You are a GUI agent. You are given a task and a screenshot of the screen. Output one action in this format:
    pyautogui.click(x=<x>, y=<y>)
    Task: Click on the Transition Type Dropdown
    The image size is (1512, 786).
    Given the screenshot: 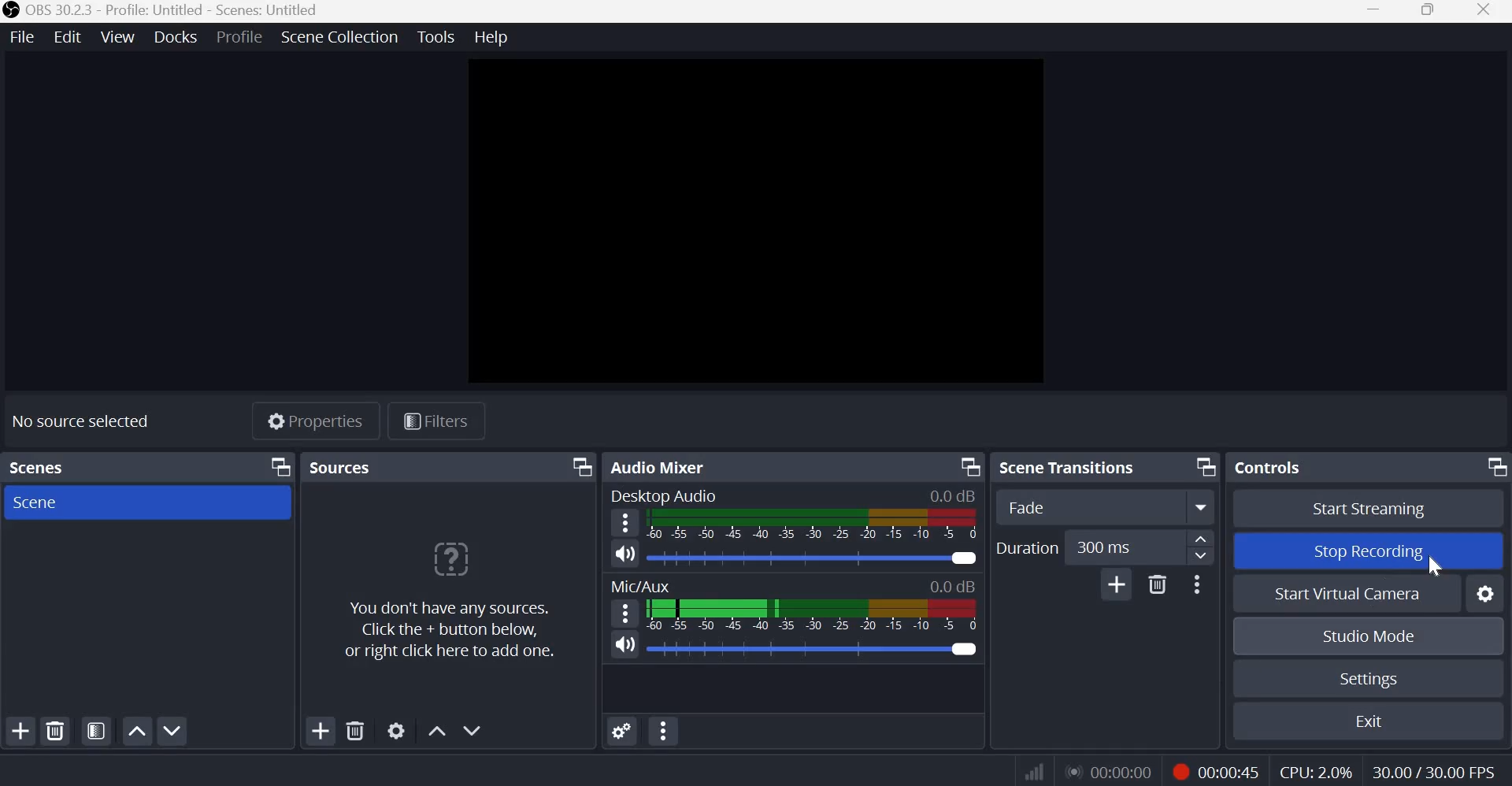 What is the action you would take?
    pyautogui.click(x=1091, y=510)
    